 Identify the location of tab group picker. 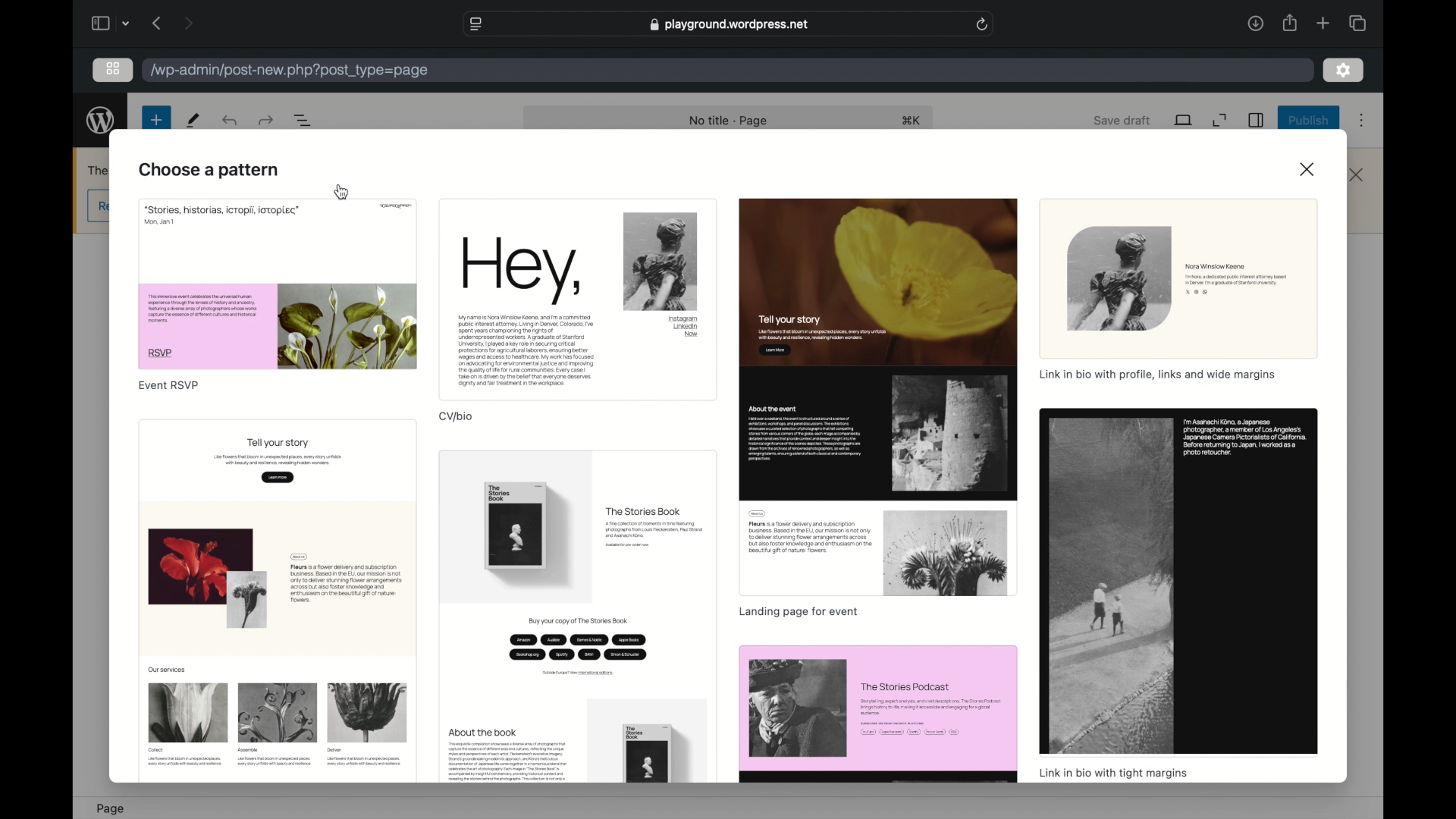
(1357, 23).